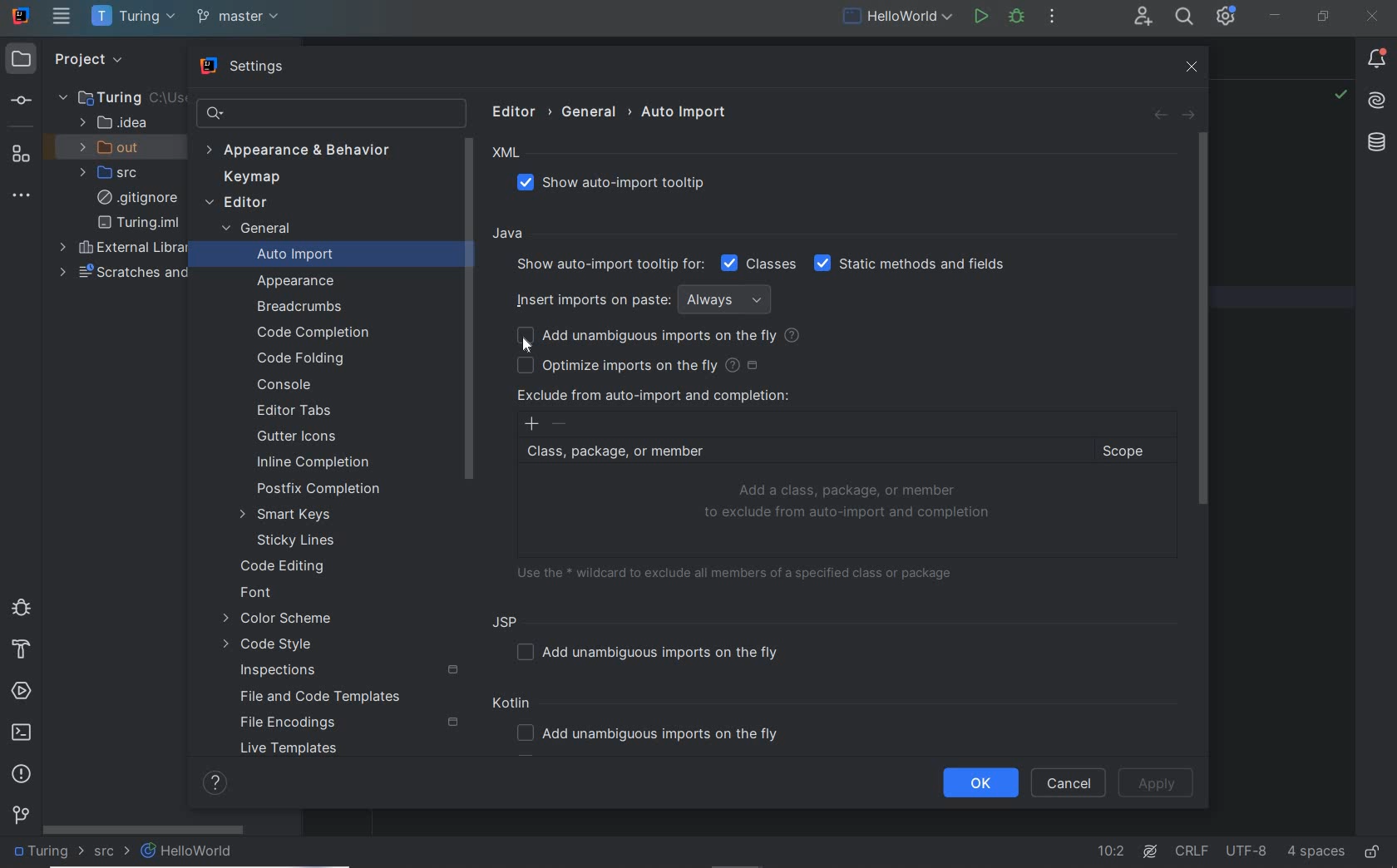 The height and width of the screenshot is (868, 1397). What do you see at coordinates (236, 204) in the screenshot?
I see `EDITOR` at bounding box center [236, 204].